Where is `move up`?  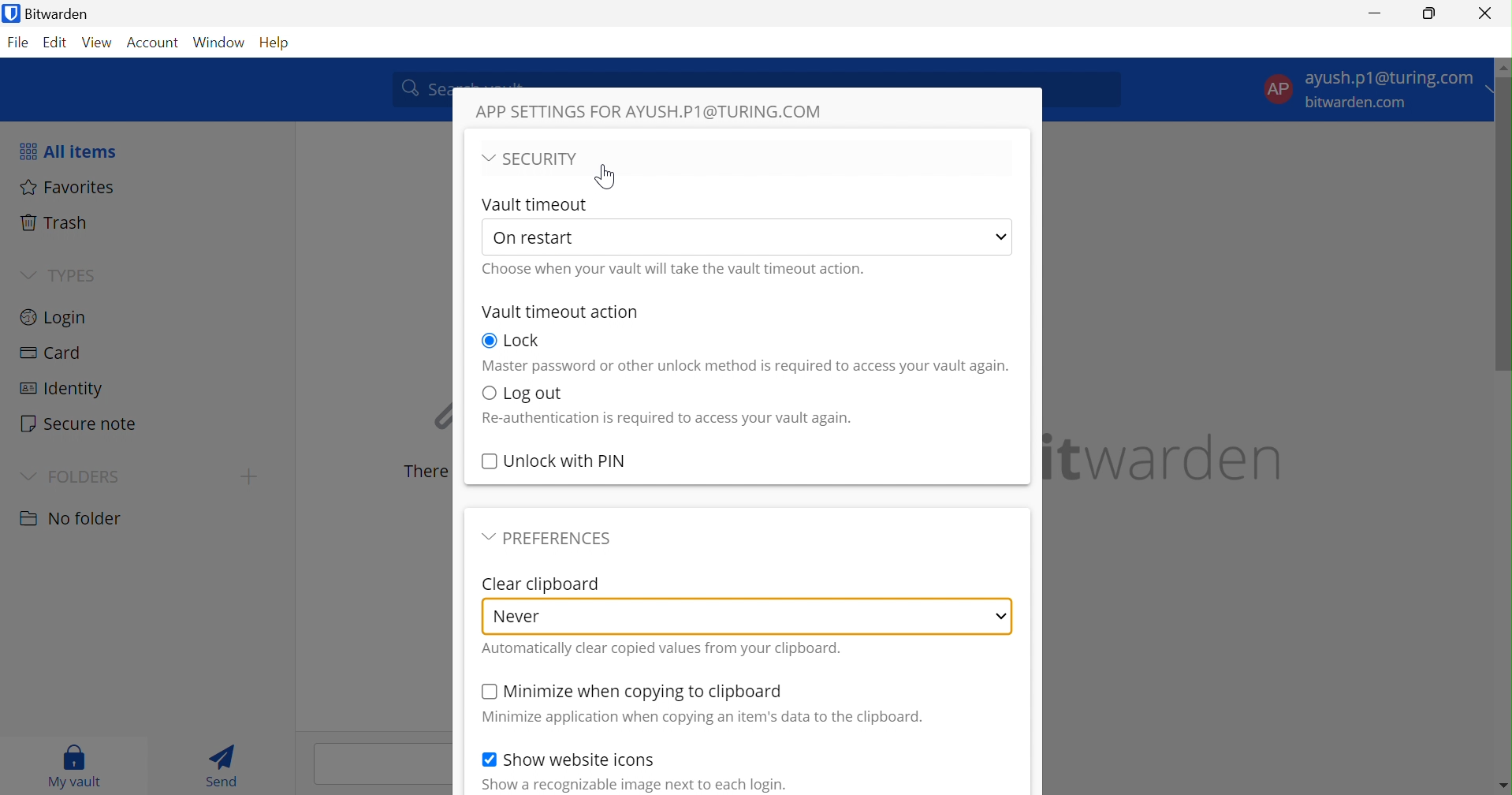
move up is located at coordinates (1502, 68).